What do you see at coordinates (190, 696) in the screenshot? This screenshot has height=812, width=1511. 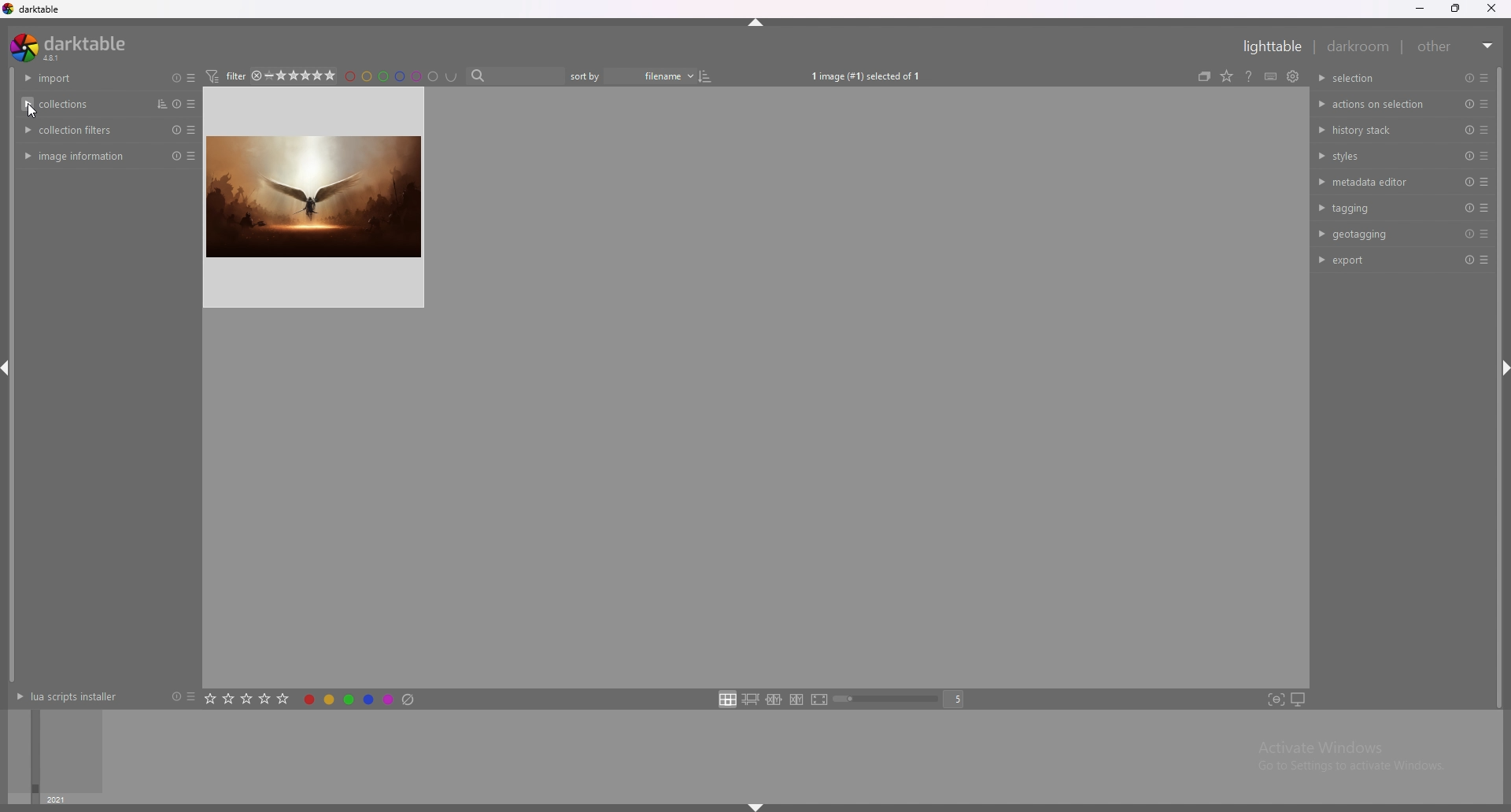 I see `presets` at bounding box center [190, 696].